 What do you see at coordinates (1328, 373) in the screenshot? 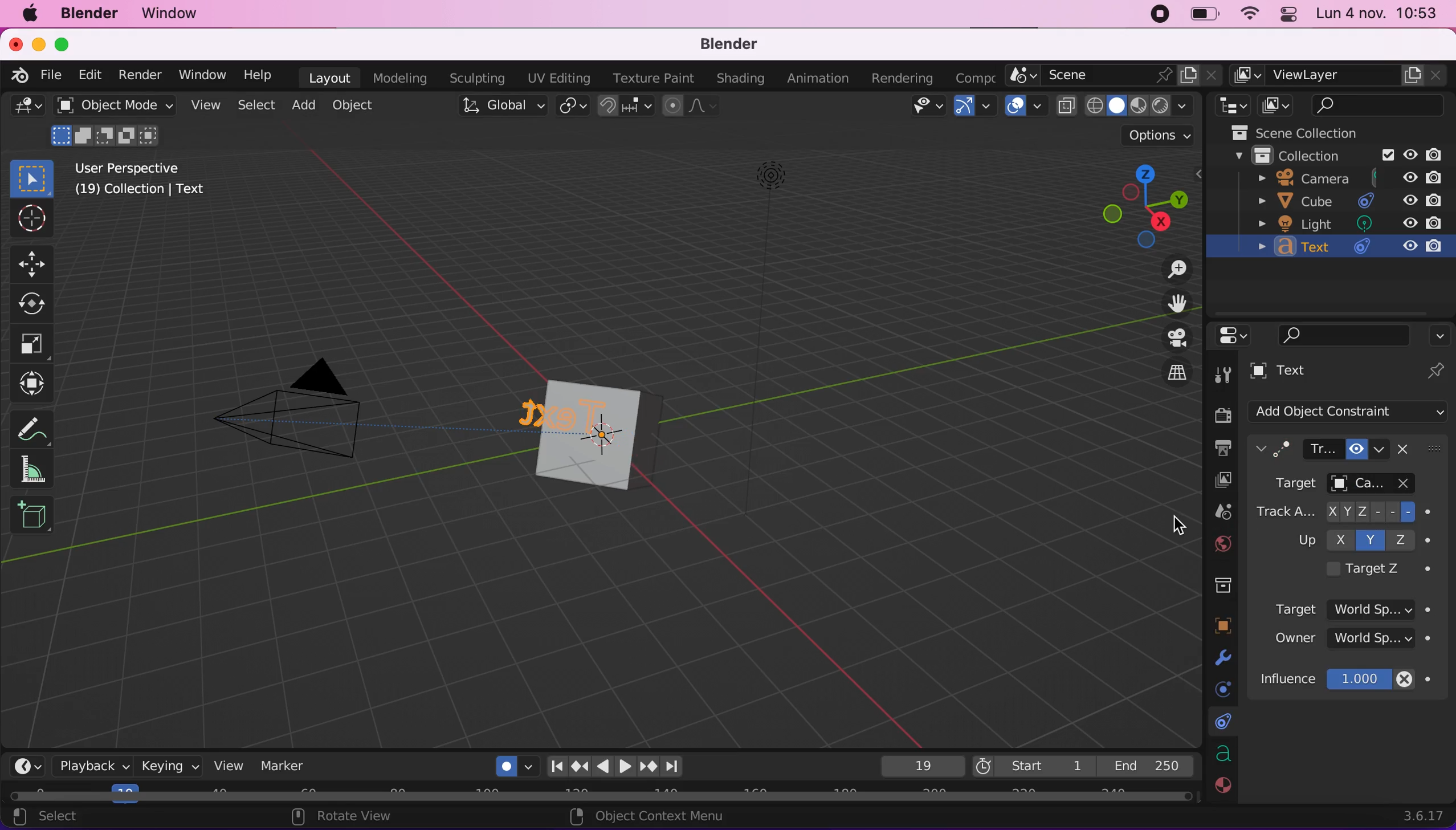
I see `text` at bounding box center [1328, 373].